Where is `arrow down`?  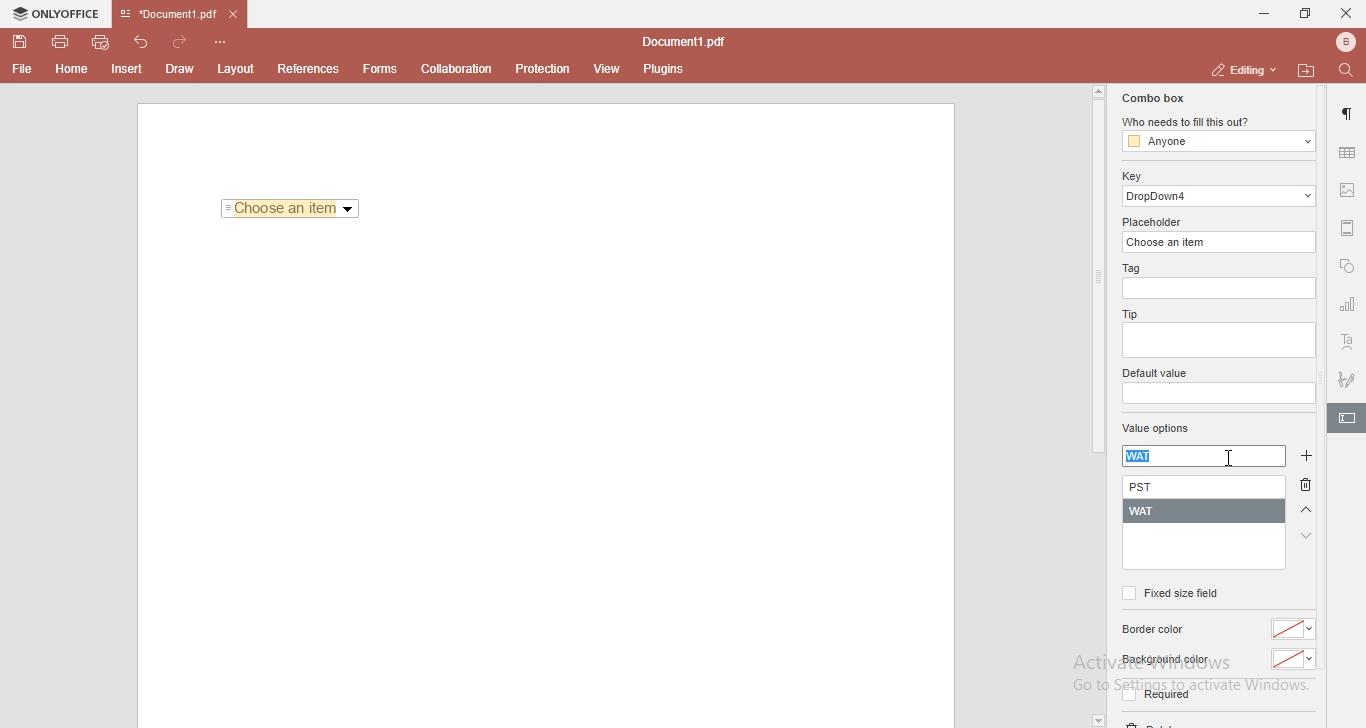
arrow down is located at coordinates (1307, 536).